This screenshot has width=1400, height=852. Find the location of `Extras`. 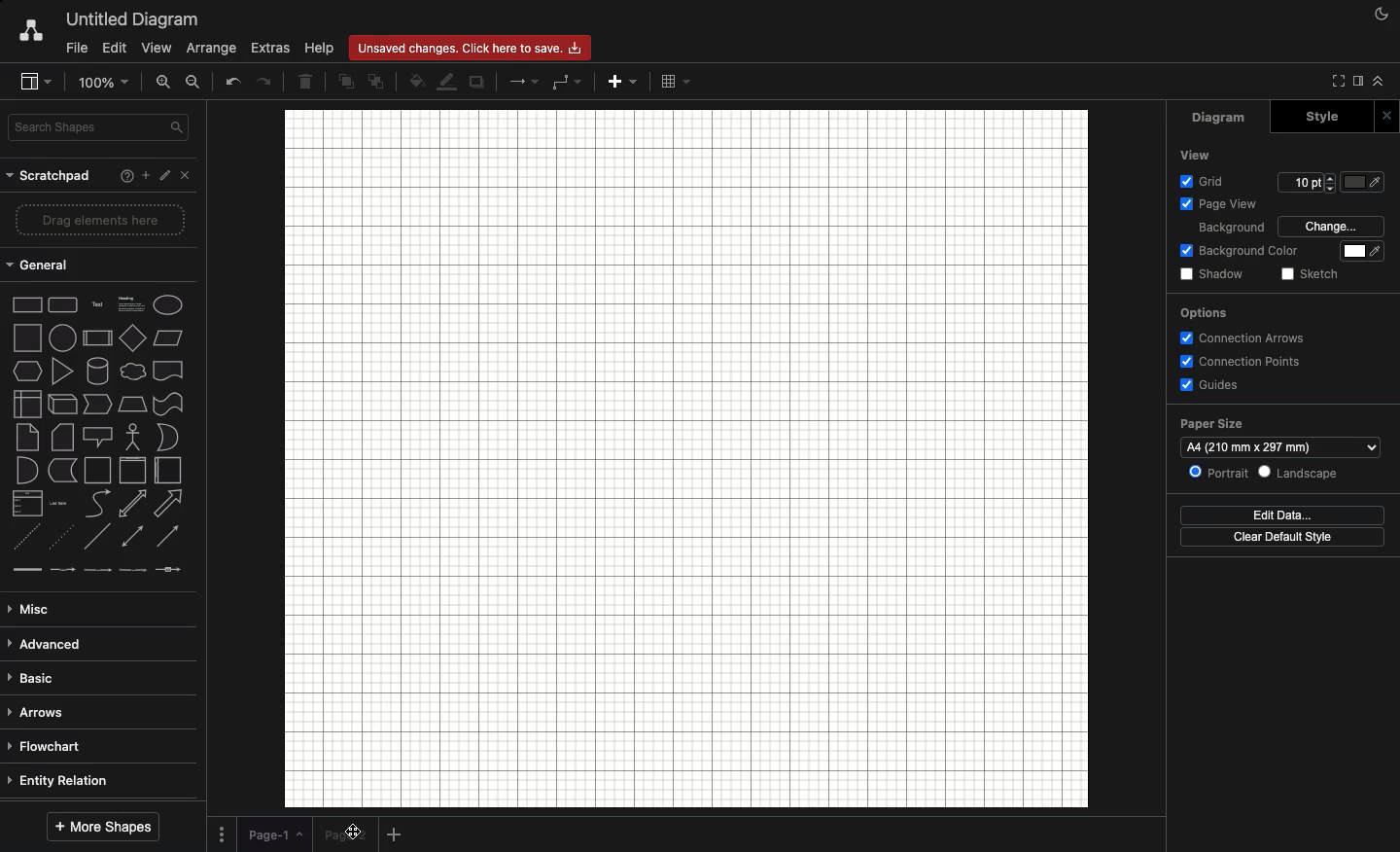

Extras is located at coordinates (269, 49).